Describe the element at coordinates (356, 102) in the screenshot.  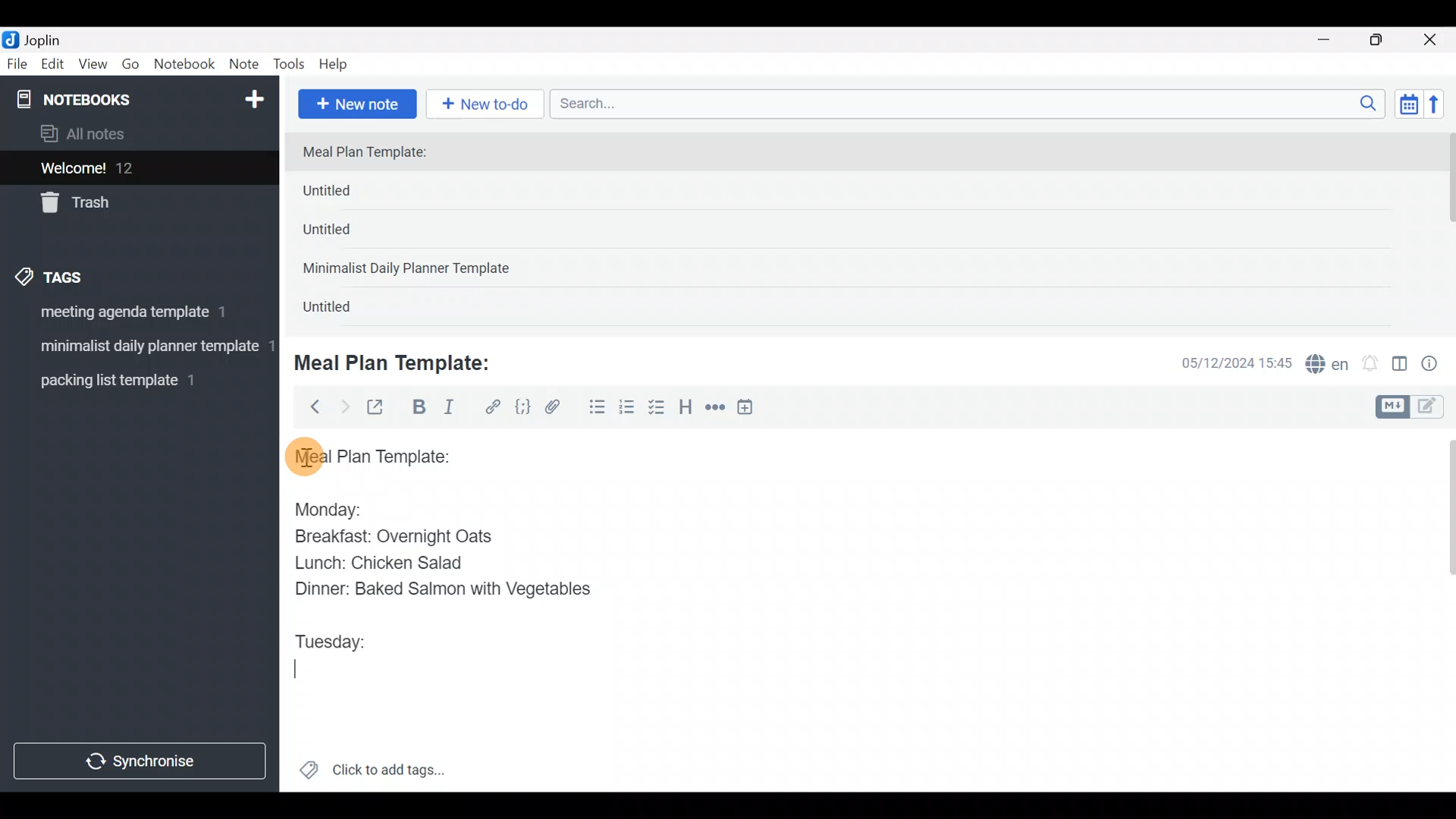
I see `New note` at that location.